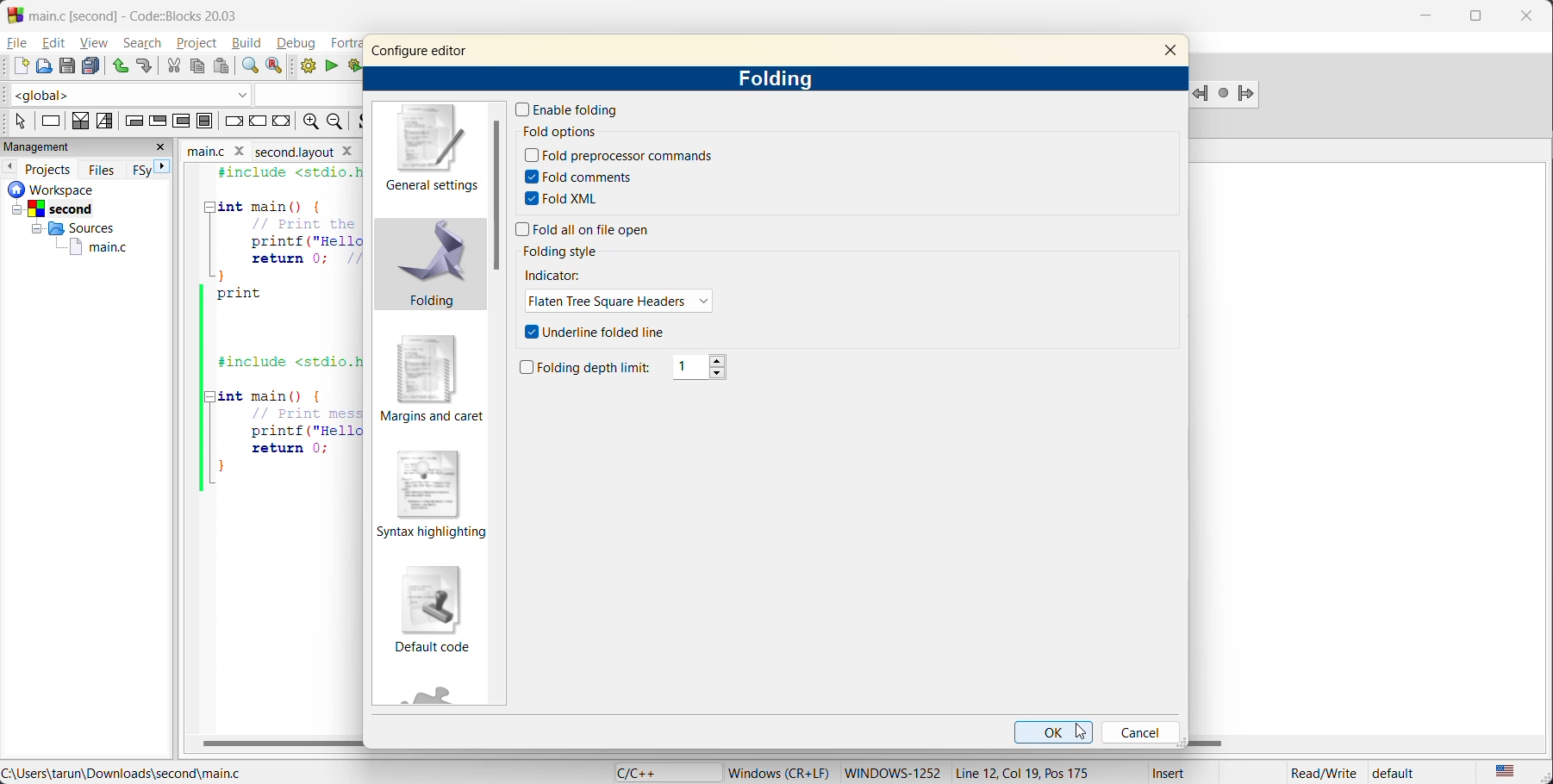 The image size is (1553, 784). What do you see at coordinates (1505, 772) in the screenshot?
I see `text language` at bounding box center [1505, 772].